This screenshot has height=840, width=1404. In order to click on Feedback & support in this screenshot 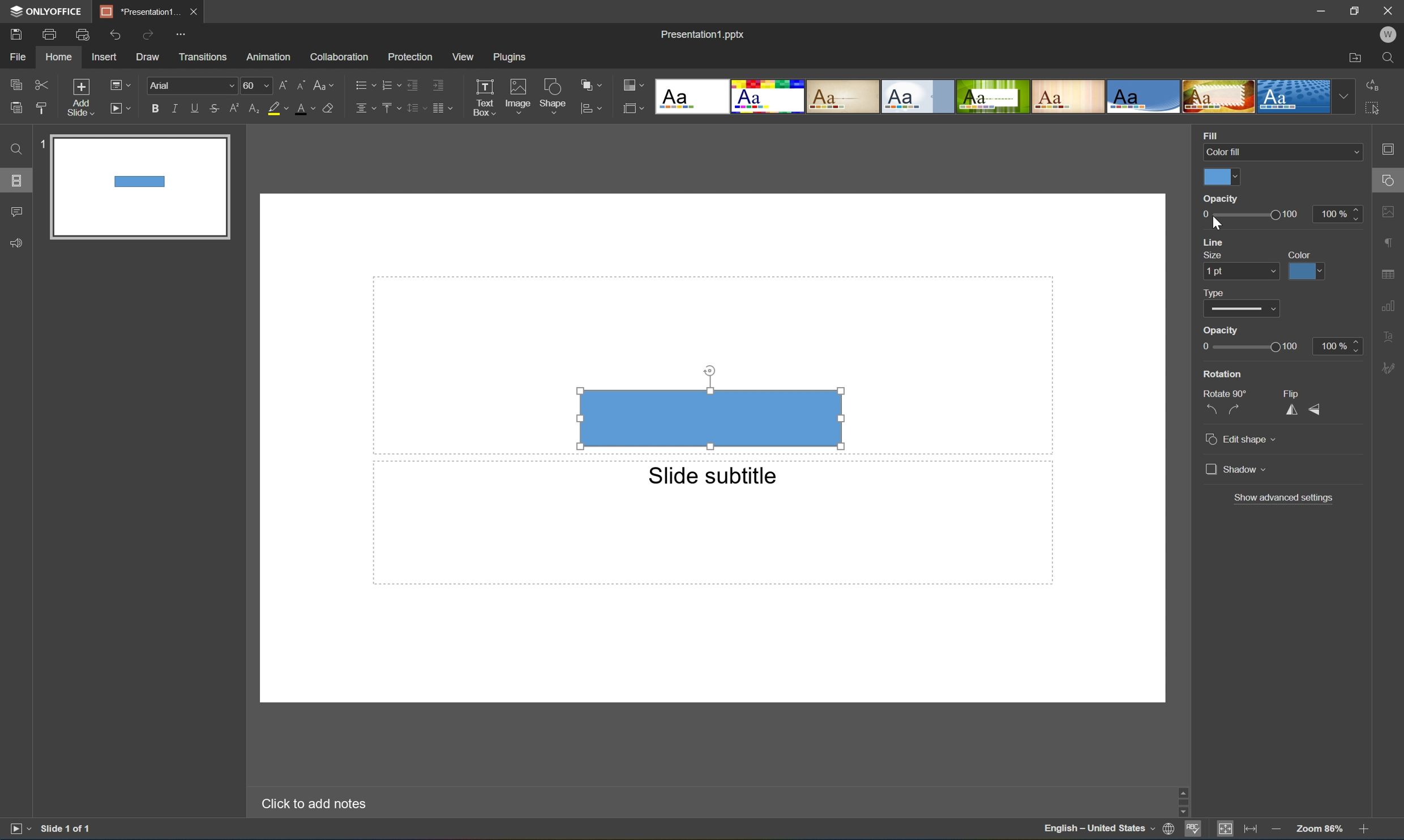, I will do `click(19, 243)`.